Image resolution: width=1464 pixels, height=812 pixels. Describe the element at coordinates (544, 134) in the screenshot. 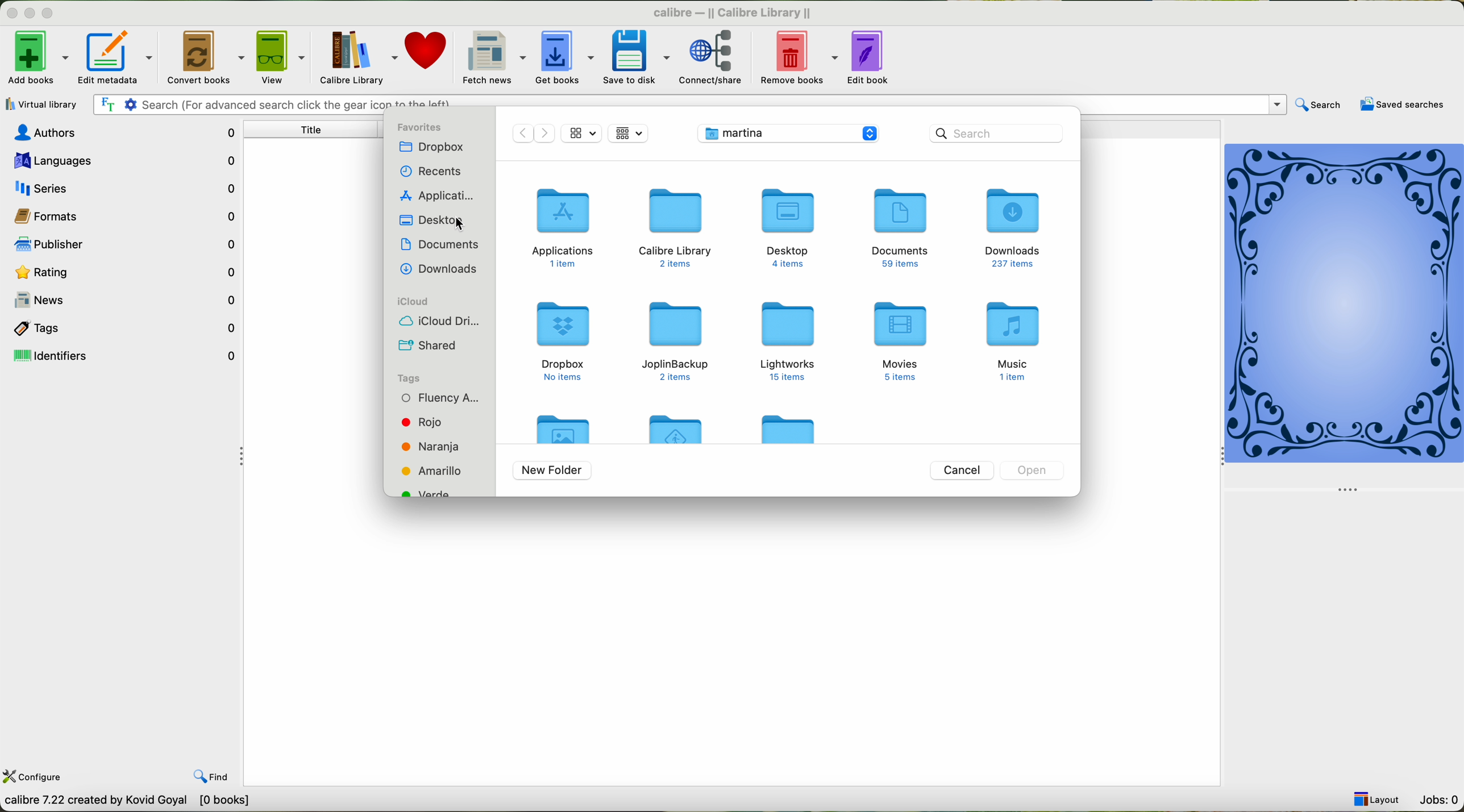

I see `next` at that location.